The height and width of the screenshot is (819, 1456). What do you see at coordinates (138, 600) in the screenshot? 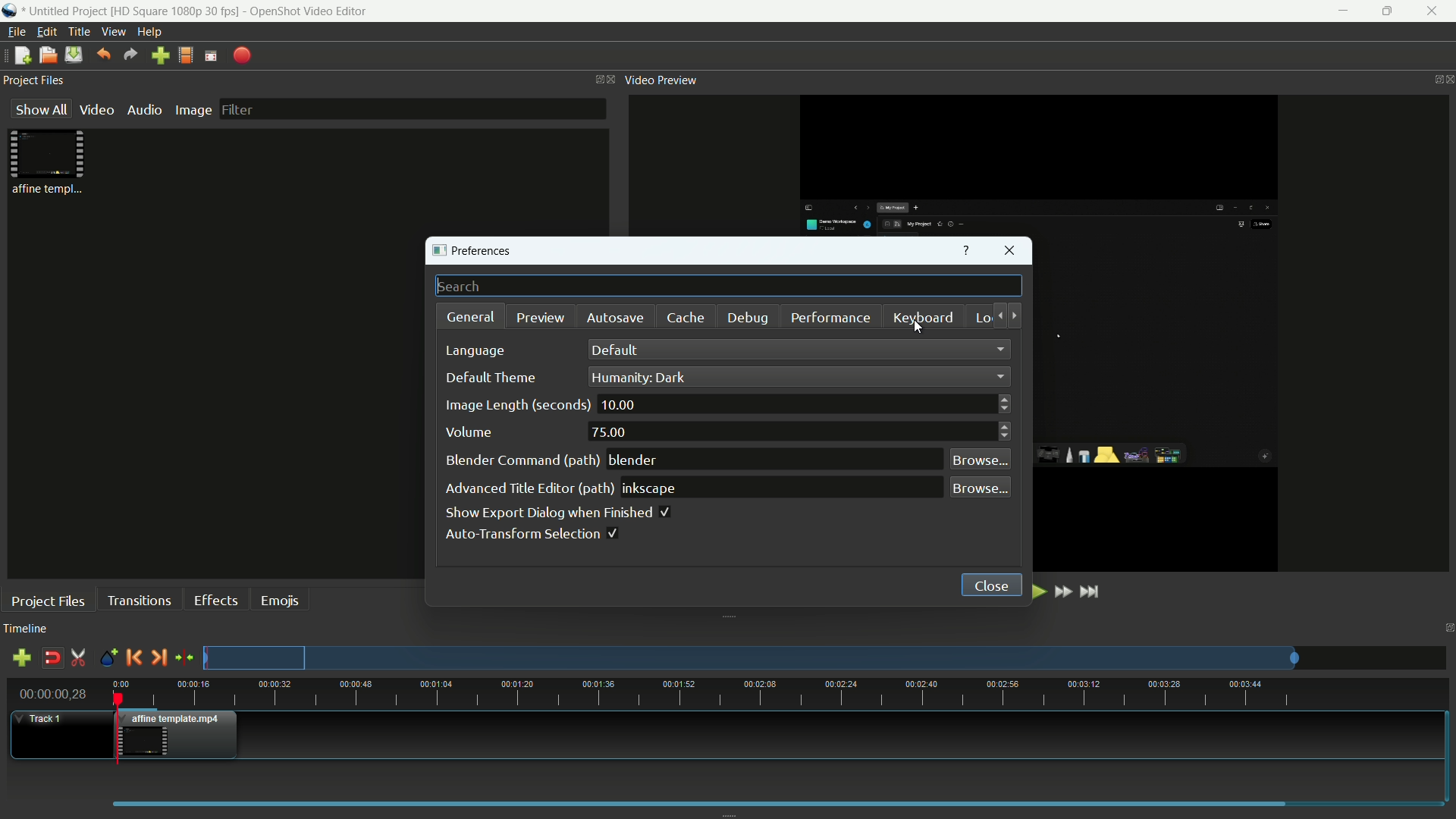
I see `transitions` at bounding box center [138, 600].